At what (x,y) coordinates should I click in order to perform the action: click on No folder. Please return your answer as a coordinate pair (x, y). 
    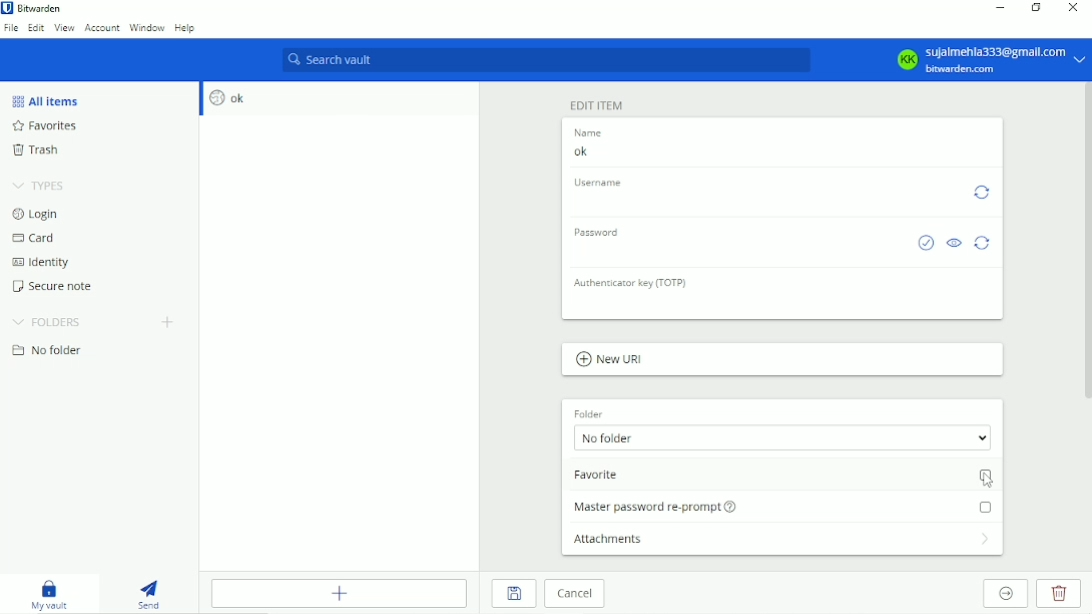
    Looking at the image, I should click on (53, 351).